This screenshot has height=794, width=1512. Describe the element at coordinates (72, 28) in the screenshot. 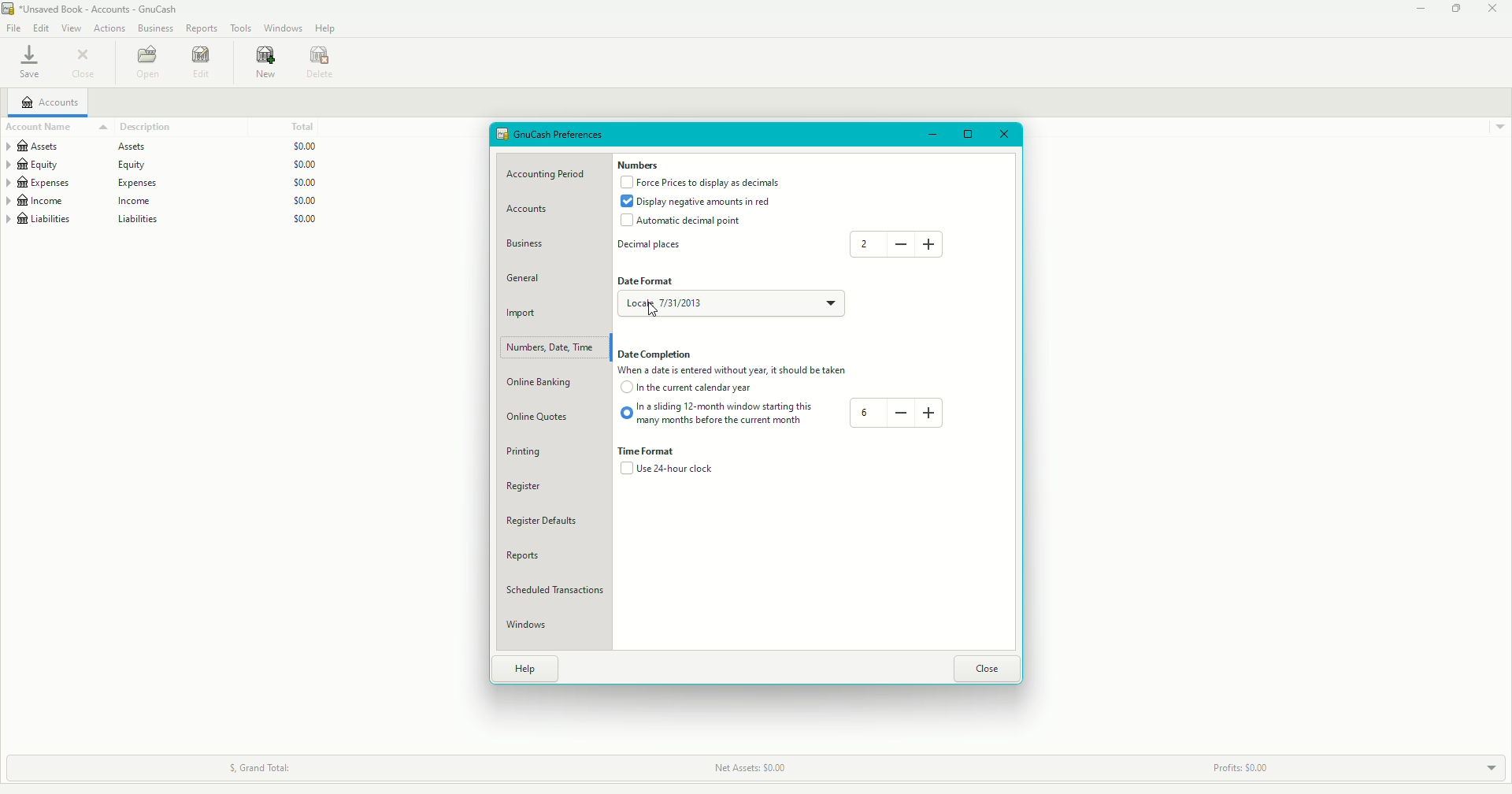

I see `View` at that location.